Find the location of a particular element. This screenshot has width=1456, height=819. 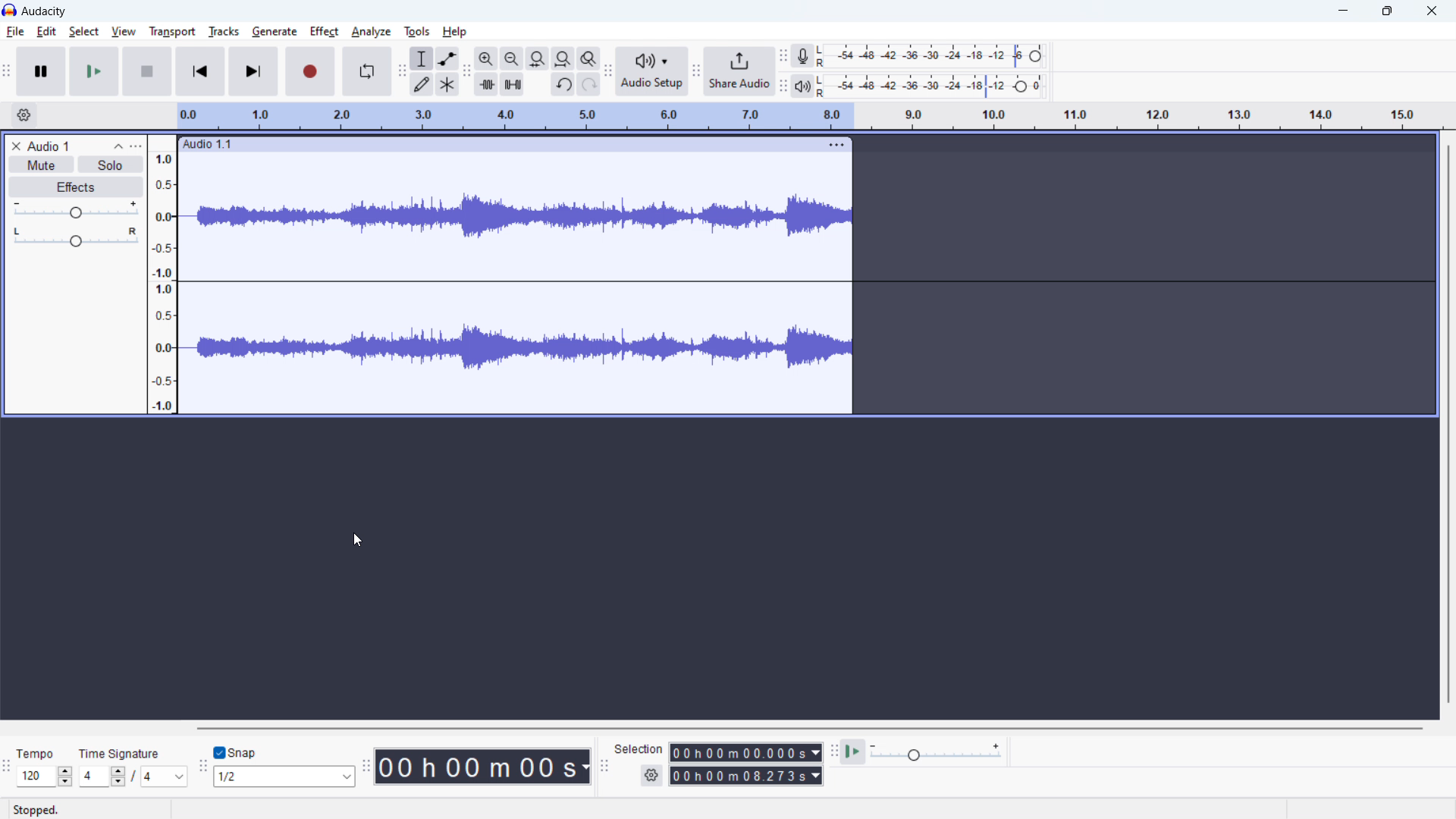

effect is located at coordinates (325, 32).